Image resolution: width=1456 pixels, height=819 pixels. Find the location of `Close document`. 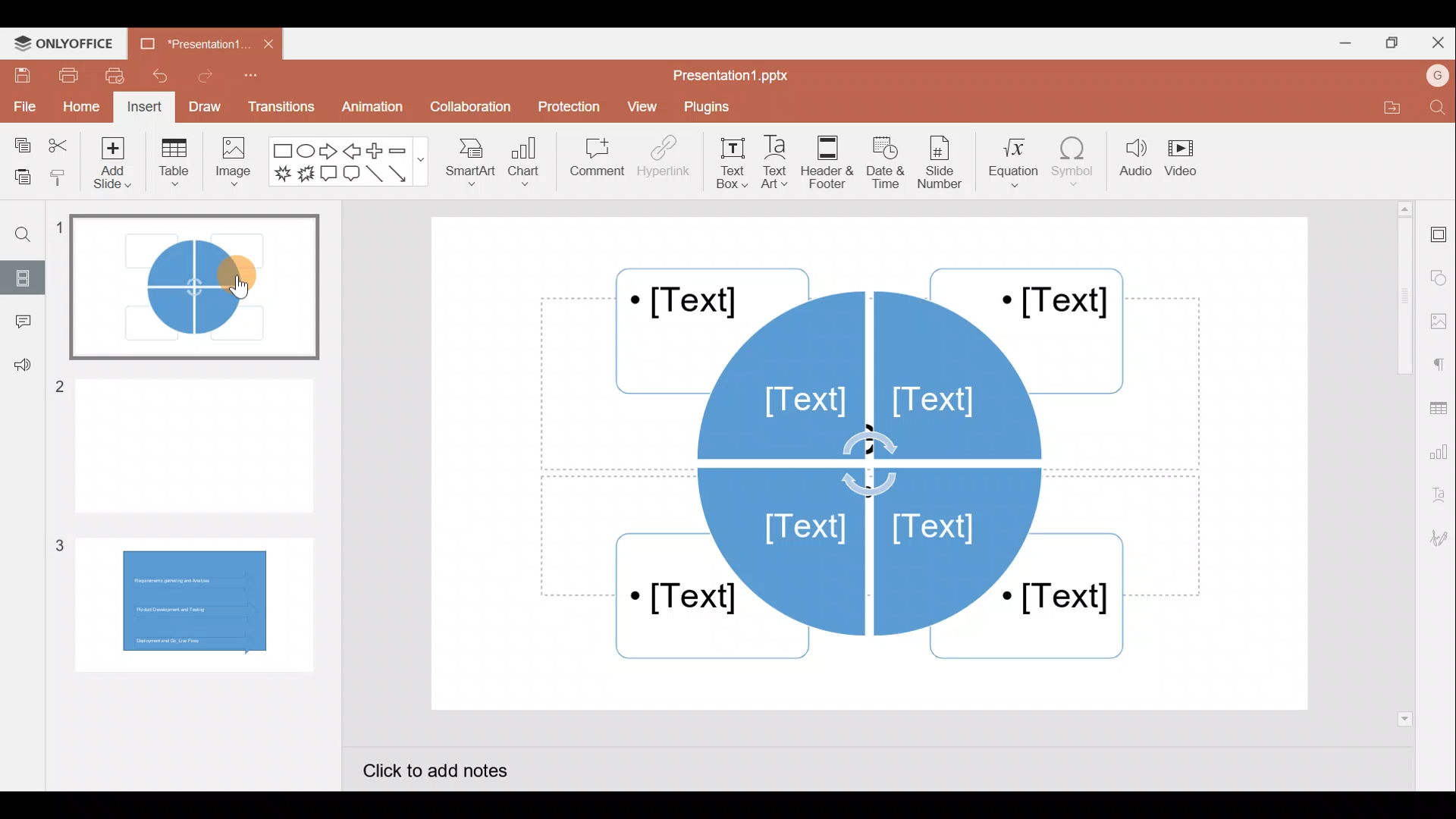

Close document is located at coordinates (262, 42).